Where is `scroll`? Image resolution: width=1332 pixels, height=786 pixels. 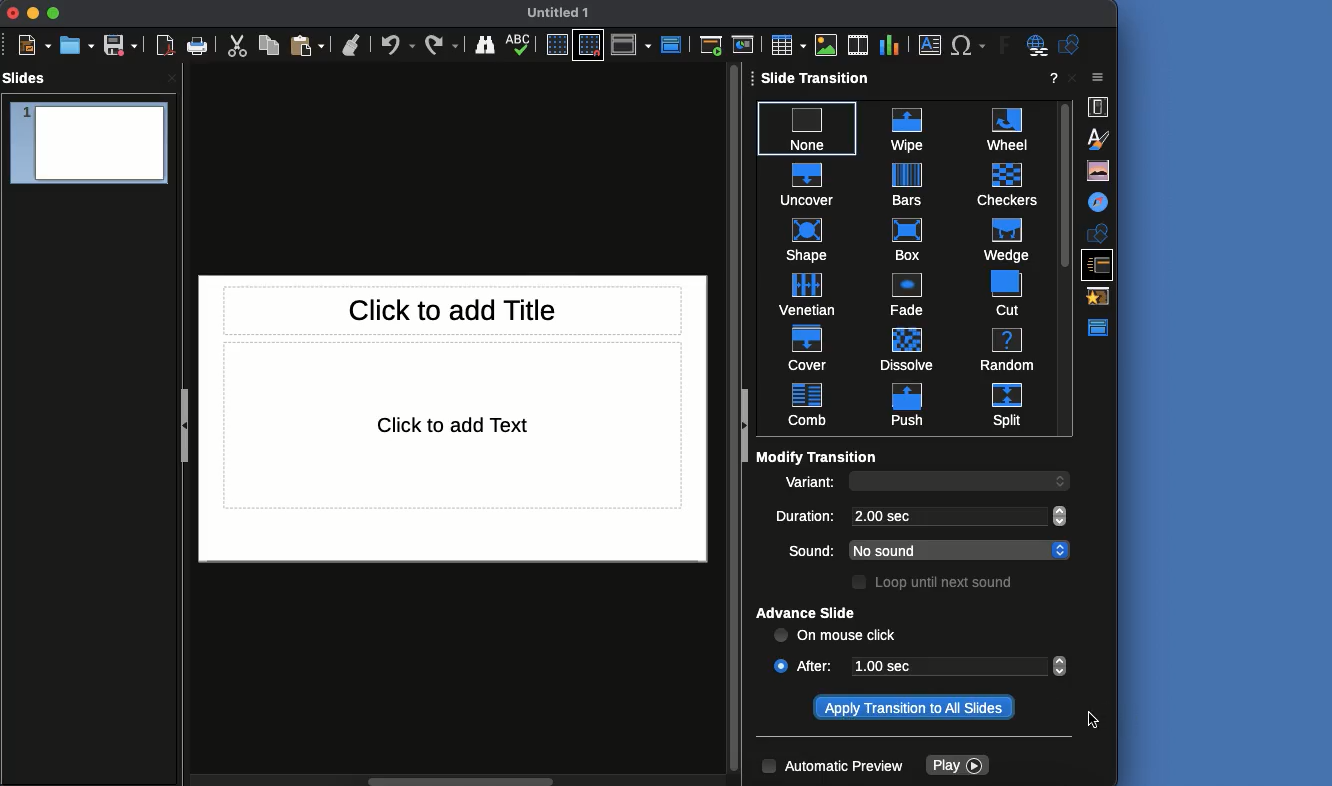
scroll is located at coordinates (1065, 480).